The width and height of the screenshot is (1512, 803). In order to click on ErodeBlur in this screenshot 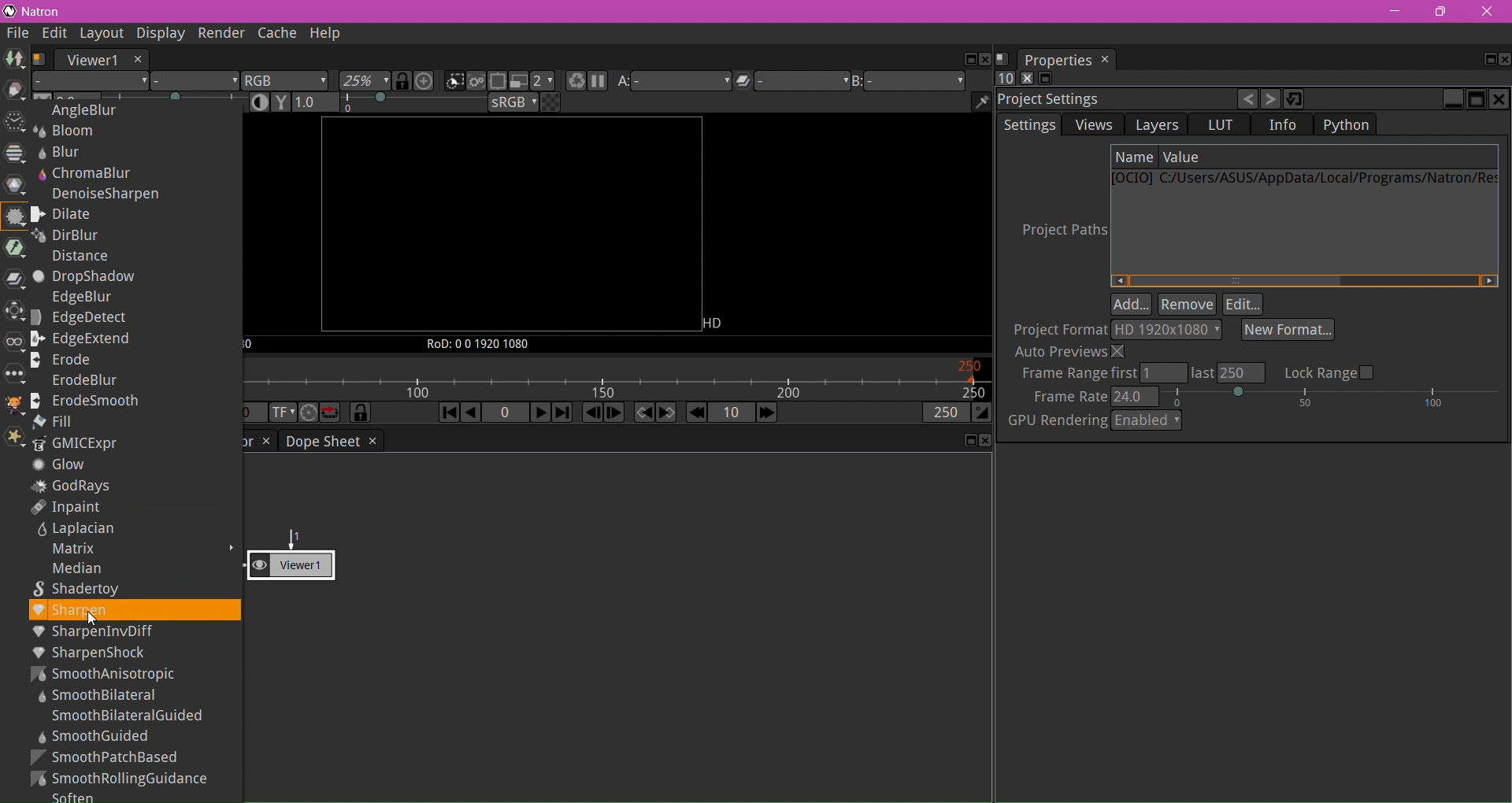, I will do `click(77, 379)`.